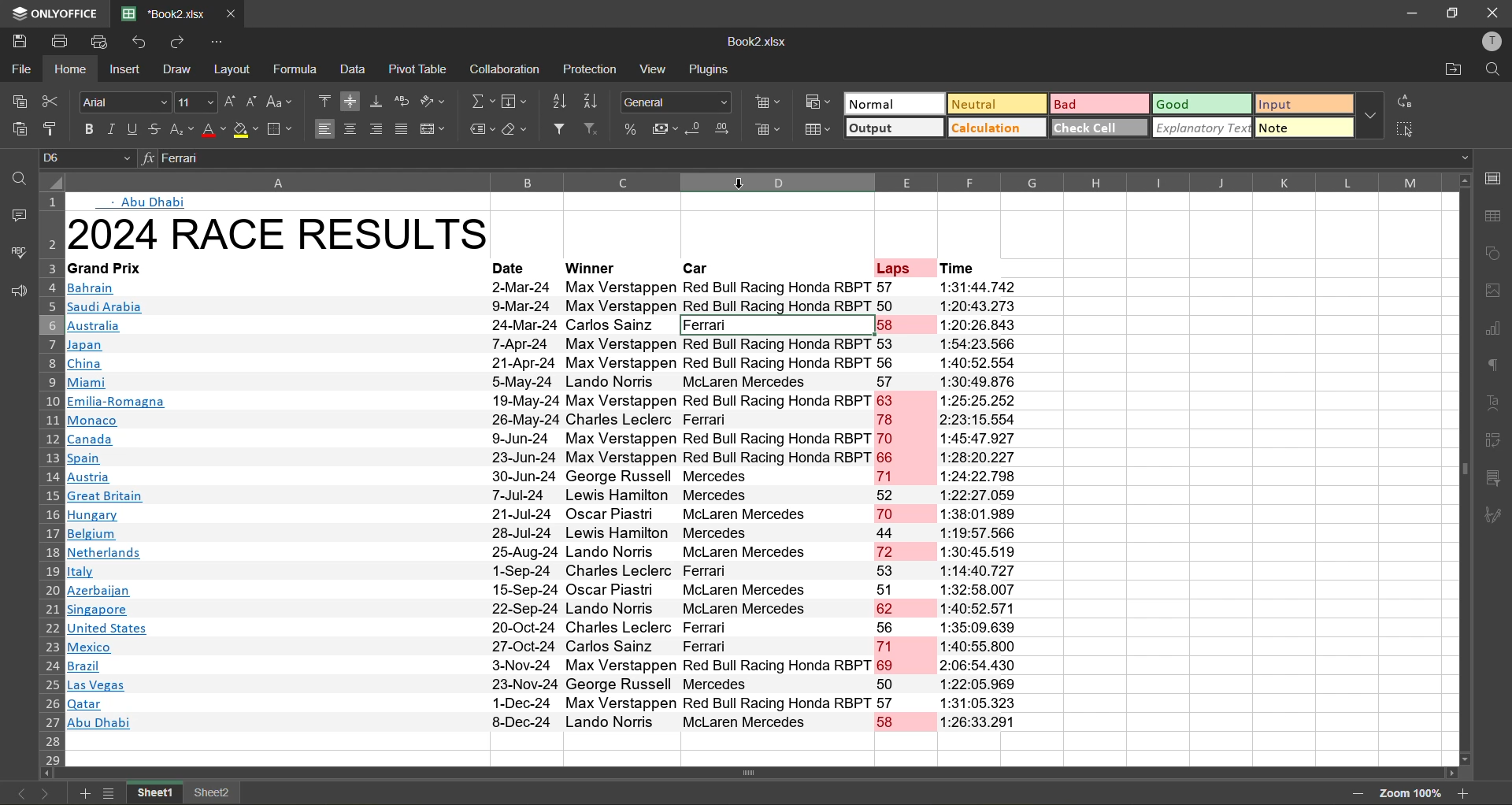 The height and width of the screenshot is (805, 1512). What do you see at coordinates (324, 128) in the screenshot?
I see `align left` at bounding box center [324, 128].